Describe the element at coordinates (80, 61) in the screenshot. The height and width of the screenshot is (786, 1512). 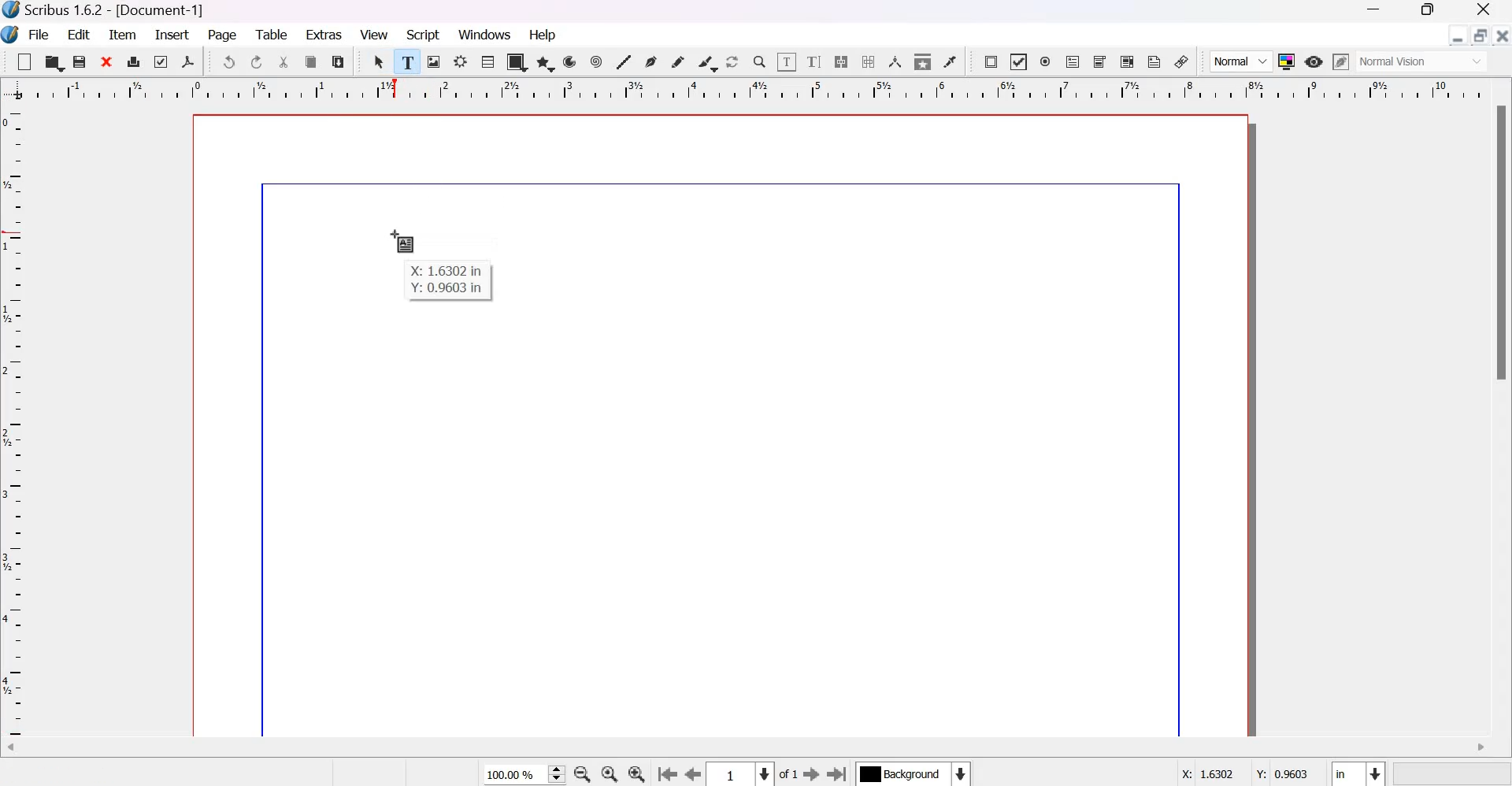
I see `save` at that location.